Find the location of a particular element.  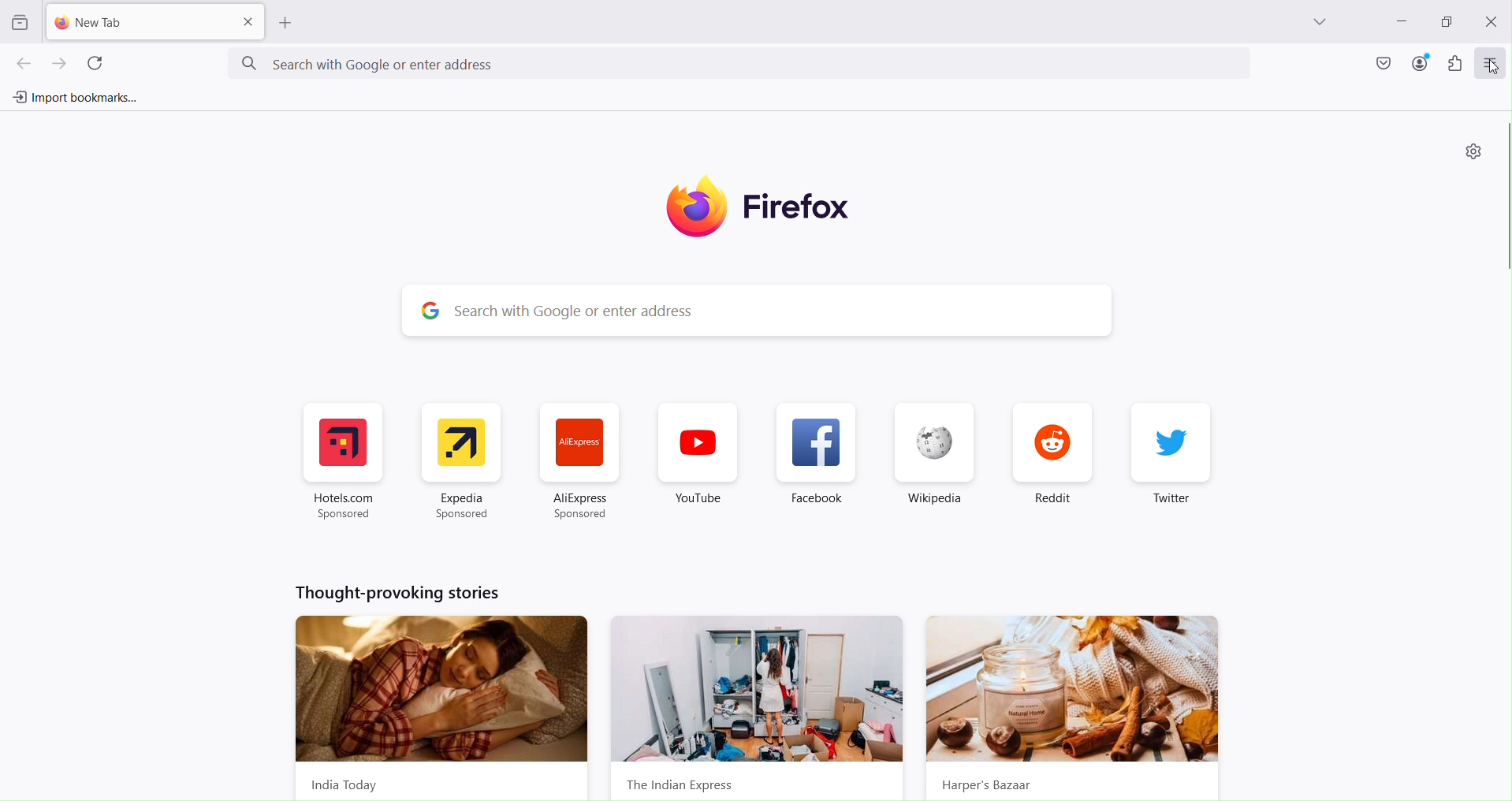

Import bookmarks is located at coordinates (73, 98).